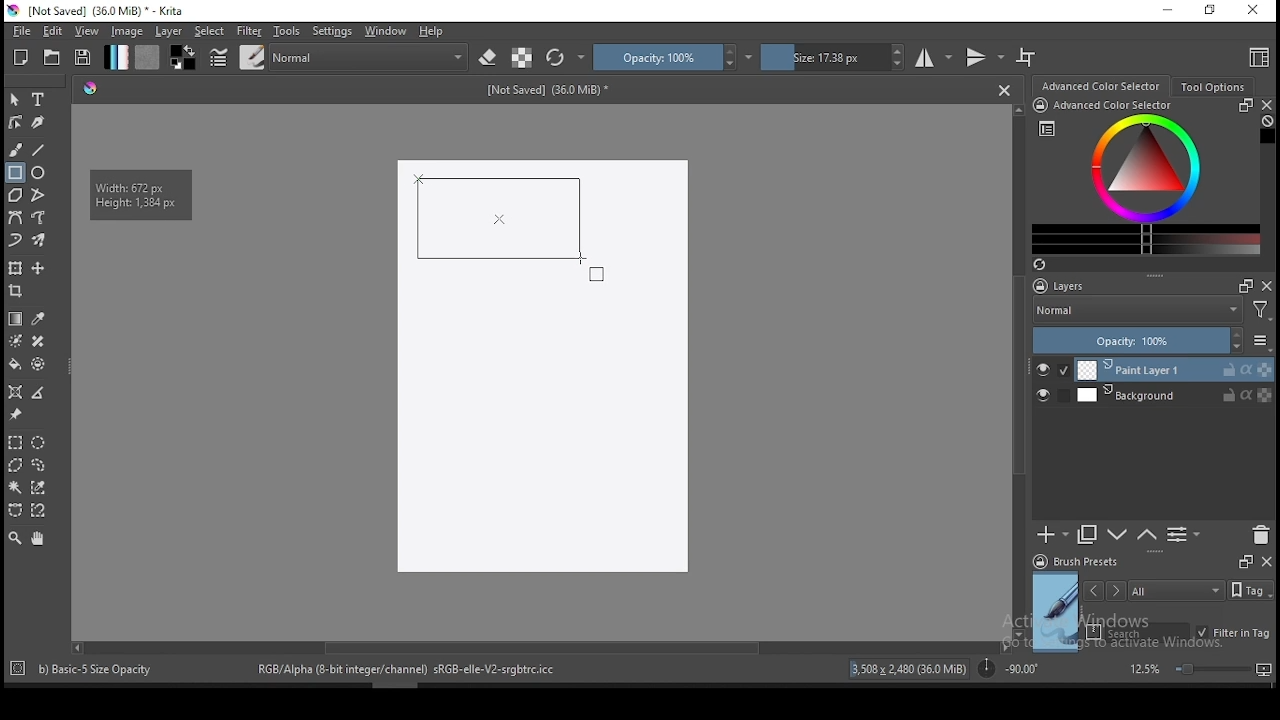 The height and width of the screenshot is (720, 1280). I want to click on pick a color from image and current layer, so click(39, 319).